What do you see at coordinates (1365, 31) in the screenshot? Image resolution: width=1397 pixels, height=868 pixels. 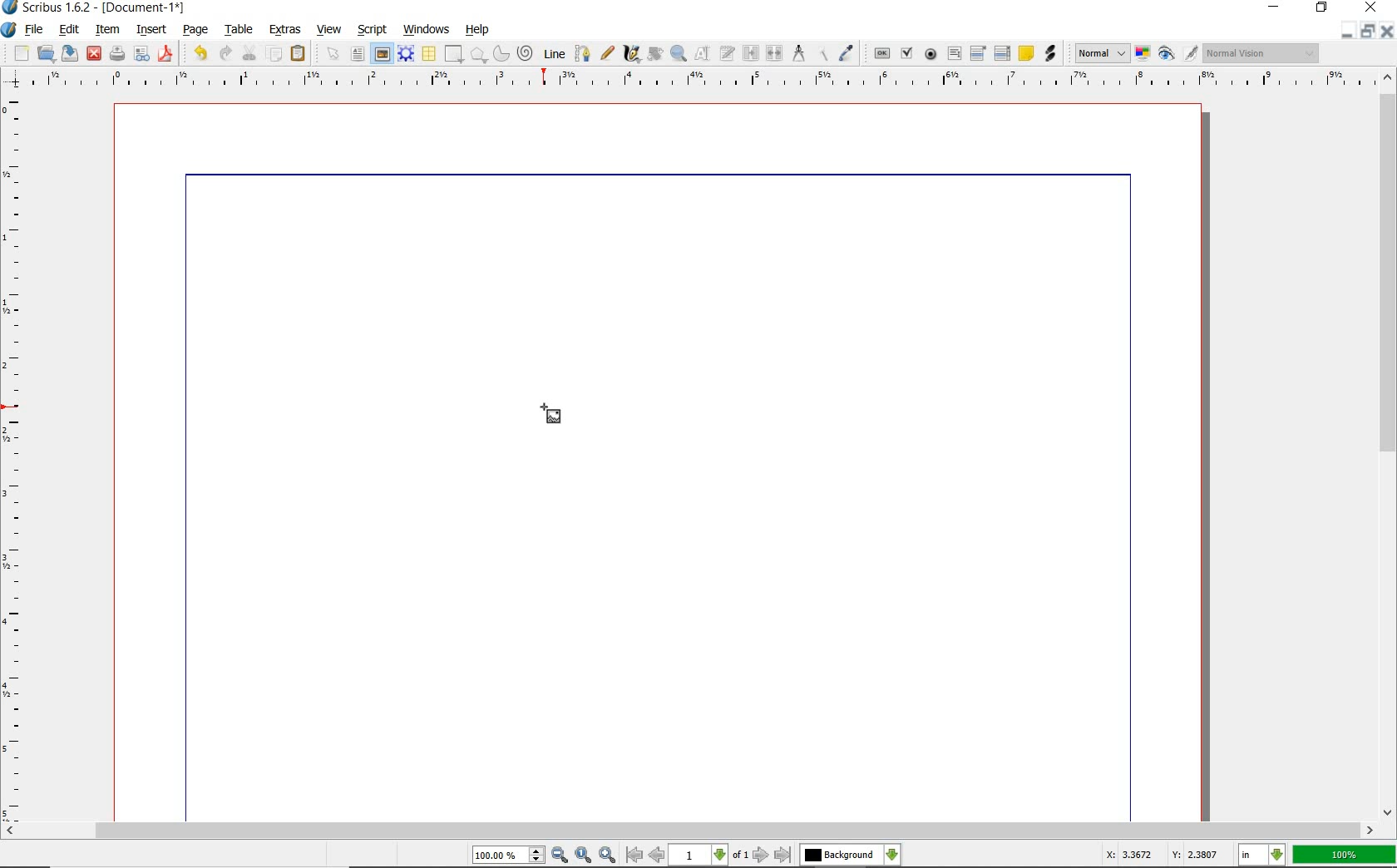 I see `Minimize` at bounding box center [1365, 31].